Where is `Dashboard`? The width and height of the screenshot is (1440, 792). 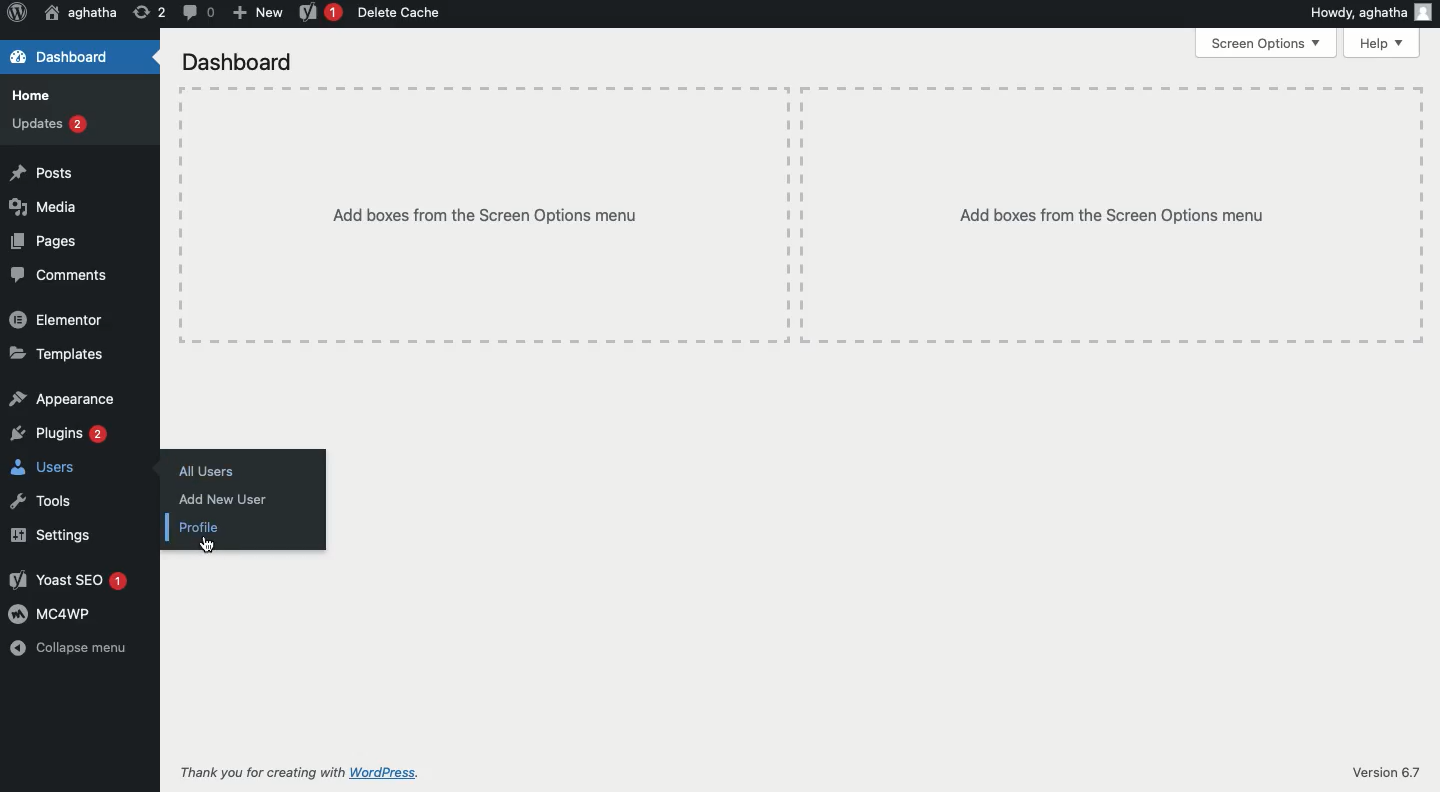 Dashboard is located at coordinates (68, 58).